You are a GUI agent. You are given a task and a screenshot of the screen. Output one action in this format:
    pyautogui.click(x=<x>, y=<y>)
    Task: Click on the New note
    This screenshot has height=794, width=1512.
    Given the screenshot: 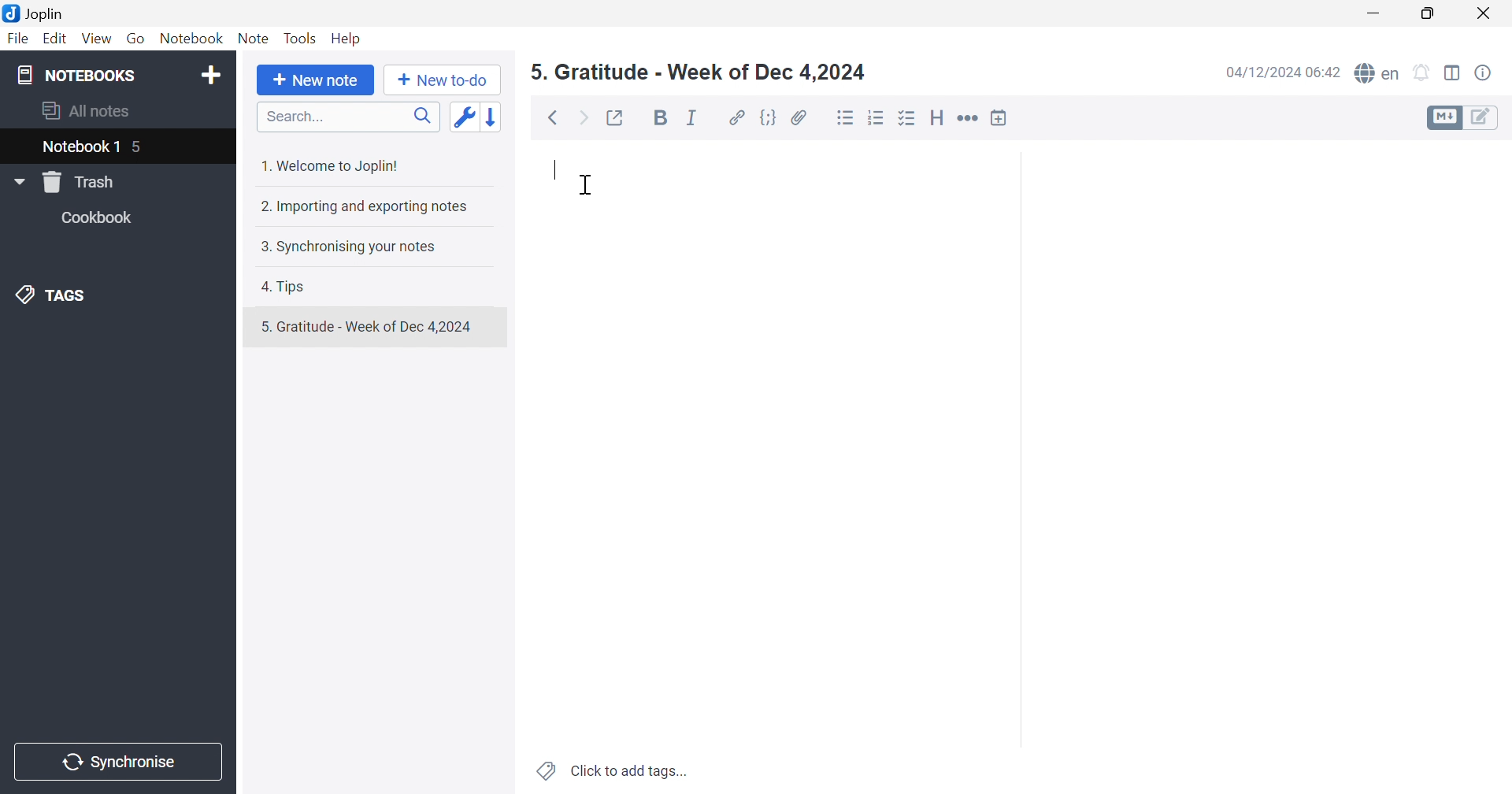 What is the action you would take?
    pyautogui.click(x=316, y=80)
    